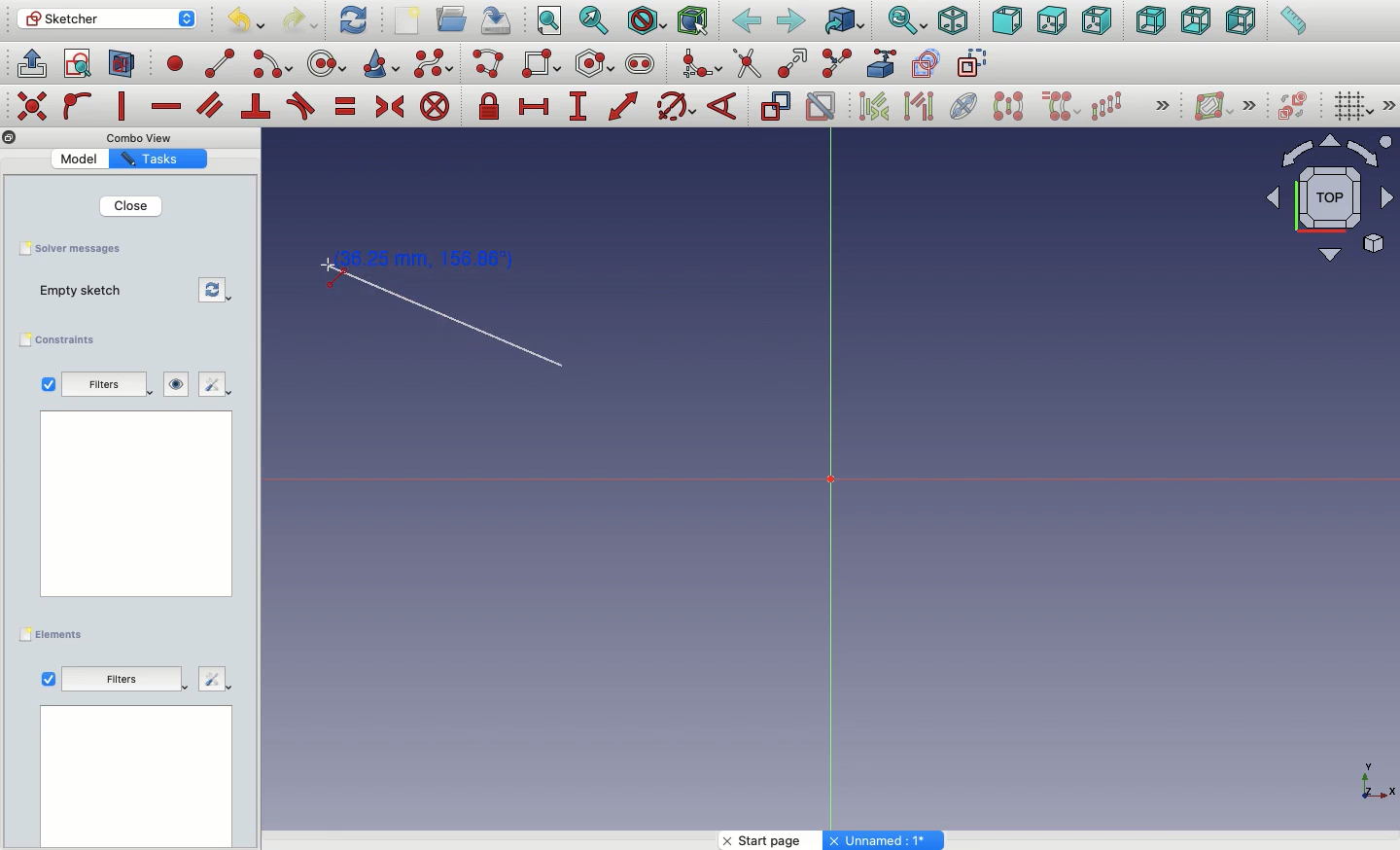 This screenshot has width=1400, height=850. Describe the element at coordinates (217, 385) in the screenshot. I see `Edit` at that location.